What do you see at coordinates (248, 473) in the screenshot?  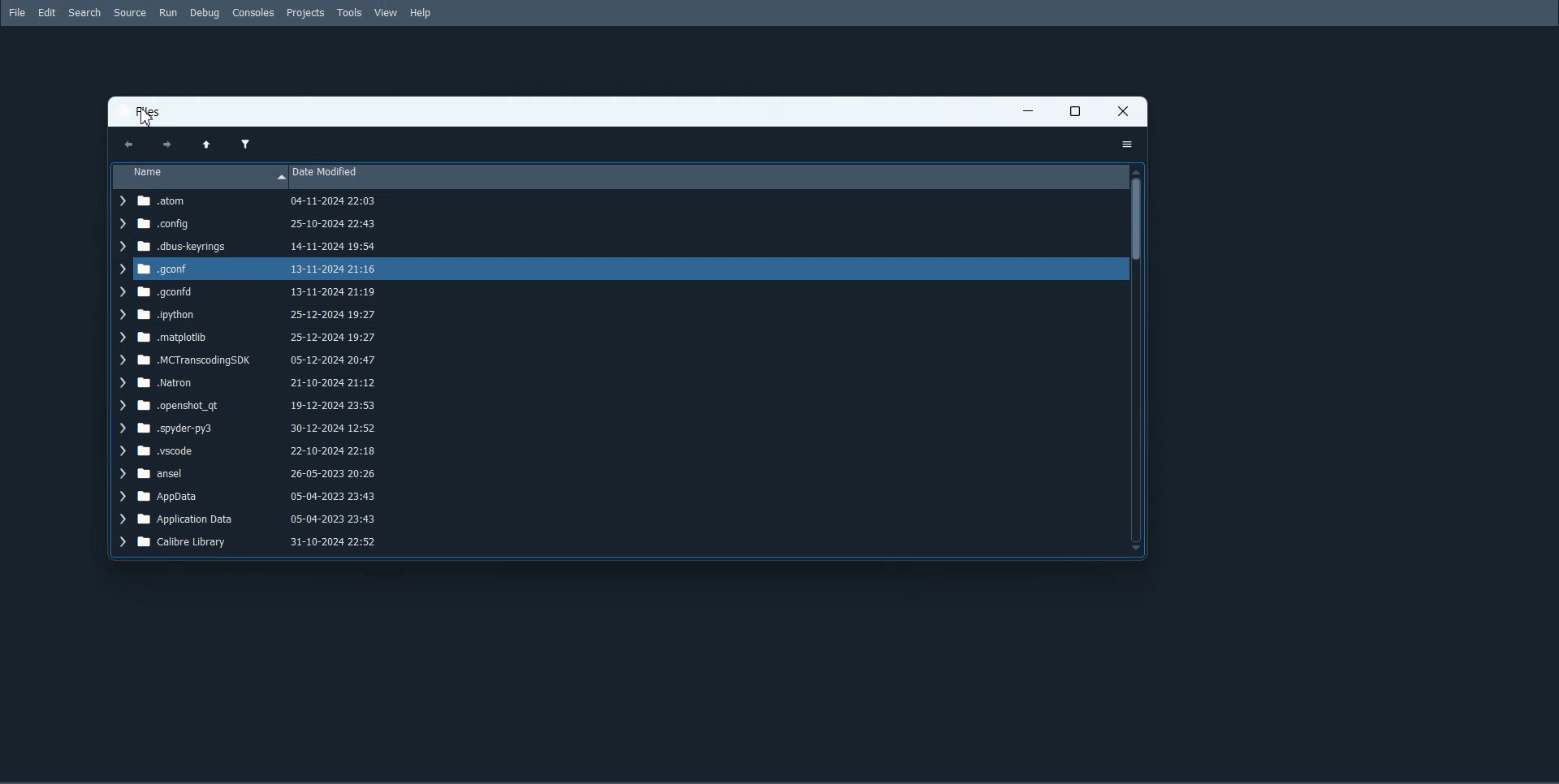 I see `ansel 26-05-2023 20:26` at bounding box center [248, 473].